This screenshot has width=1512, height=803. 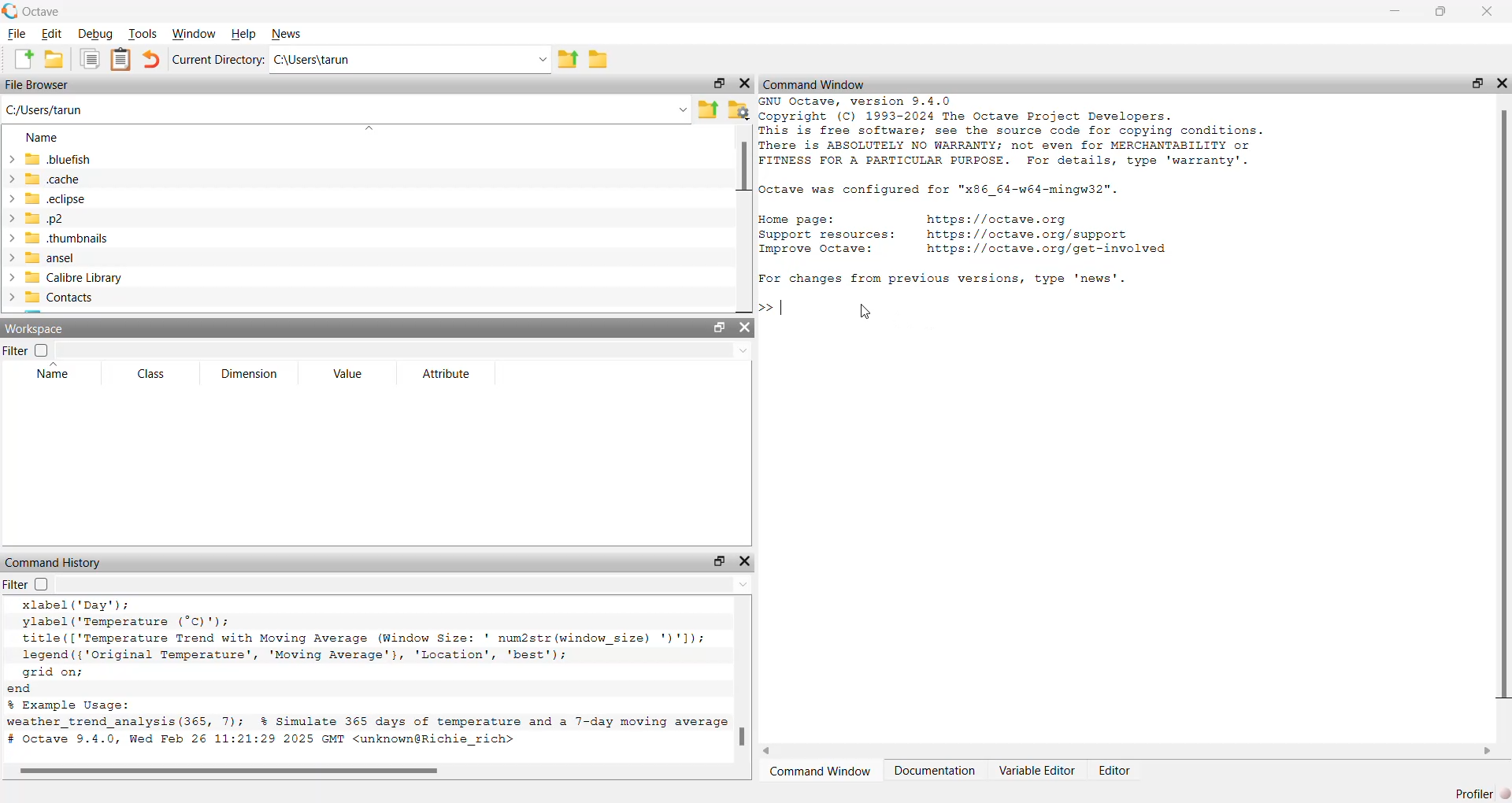 What do you see at coordinates (751, 561) in the screenshot?
I see `close` at bounding box center [751, 561].